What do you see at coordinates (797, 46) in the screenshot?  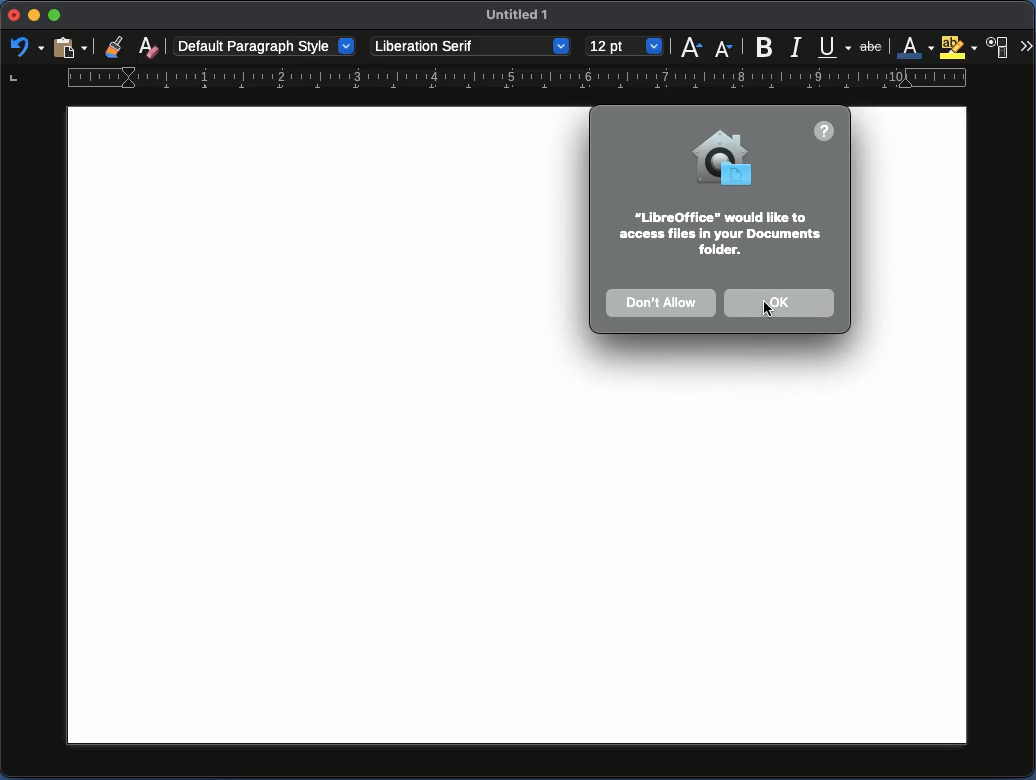 I see `Italics` at bounding box center [797, 46].